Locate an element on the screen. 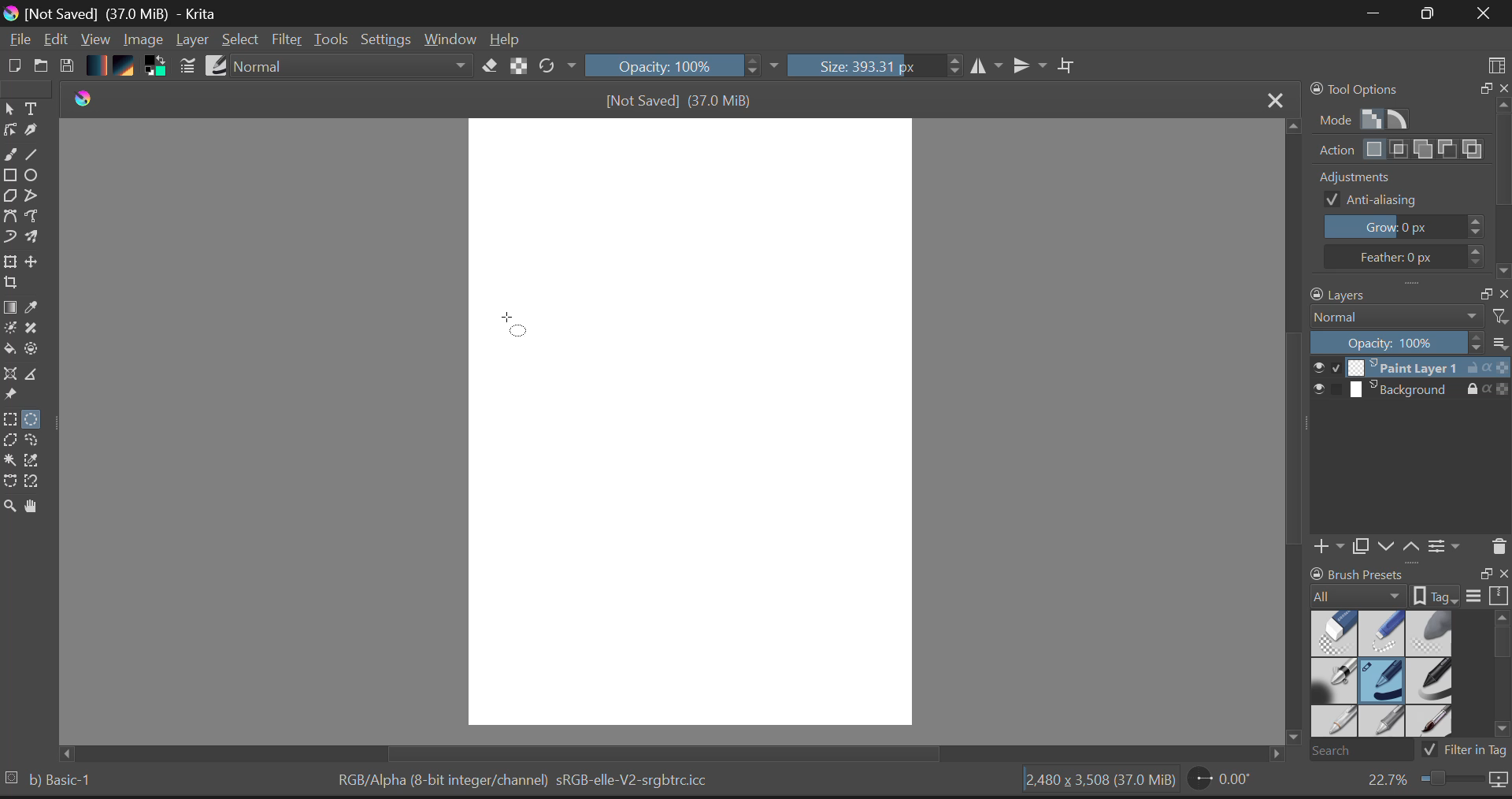 This screenshot has height=799, width=1512. Window Title is located at coordinates (117, 13).